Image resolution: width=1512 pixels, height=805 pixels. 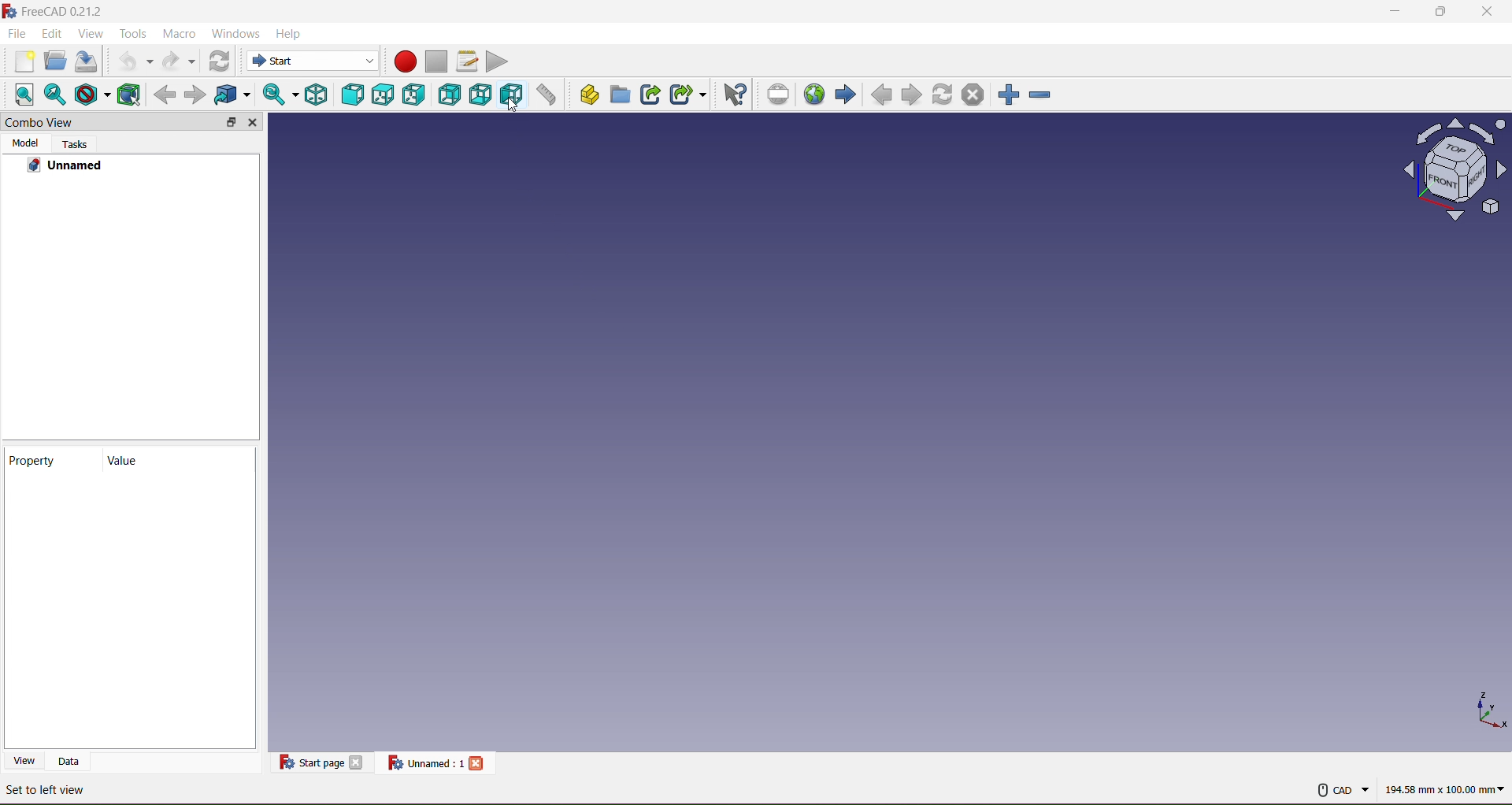 I want to click on Draw Style, so click(x=92, y=96).